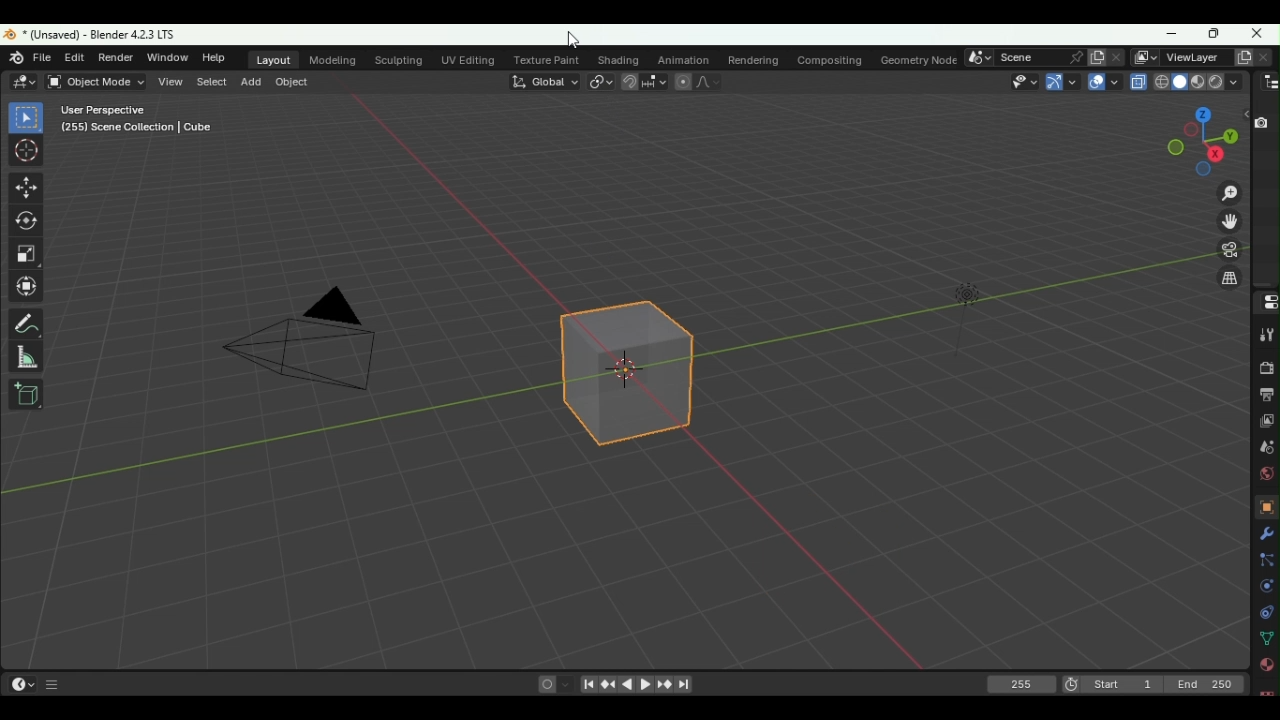 The width and height of the screenshot is (1280, 720). What do you see at coordinates (1228, 281) in the screenshot?
I see `Switch the current view from perspective/orthographic projection` at bounding box center [1228, 281].